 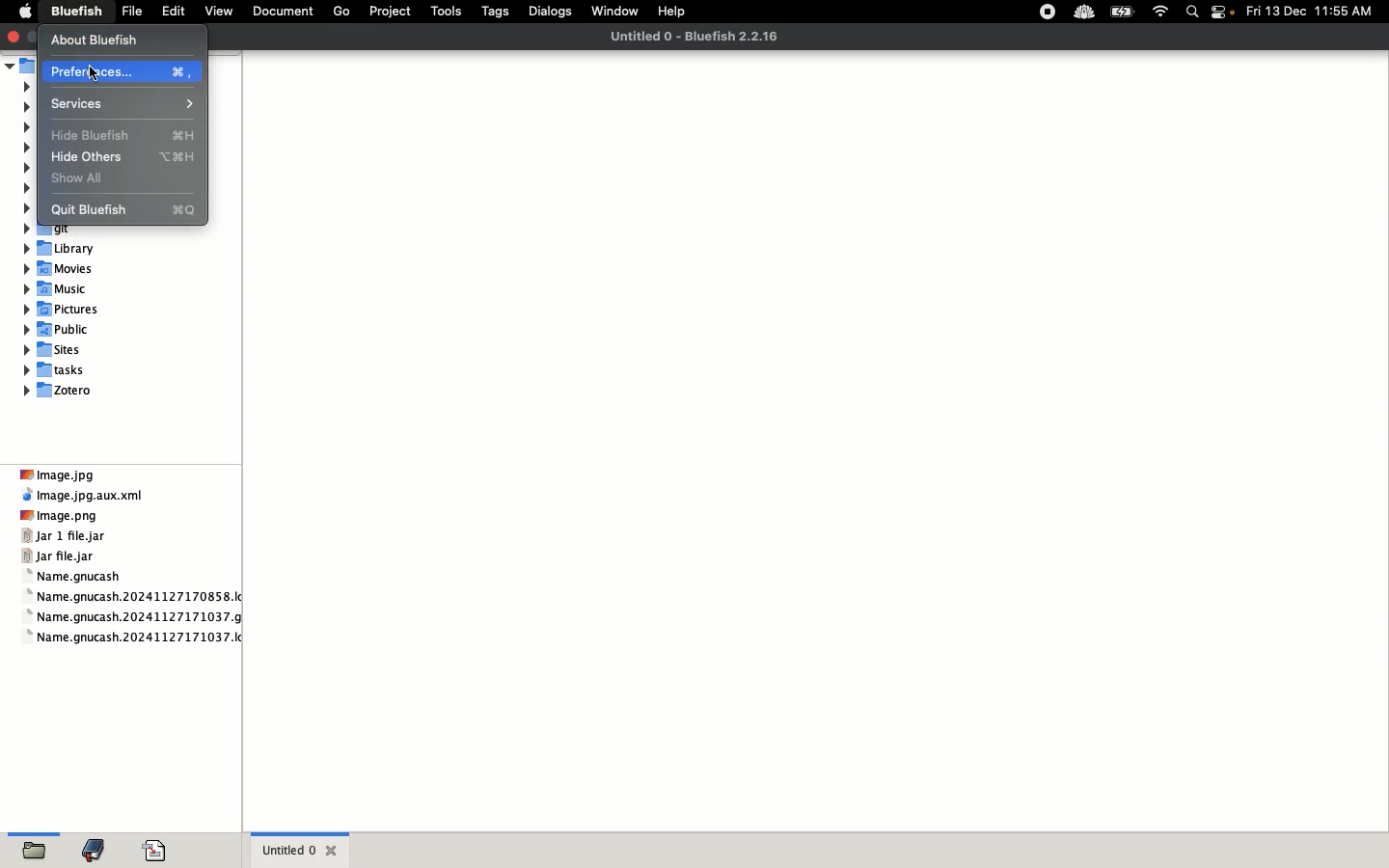 What do you see at coordinates (1161, 13) in the screenshot?
I see `Internet` at bounding box center [1161, 13].